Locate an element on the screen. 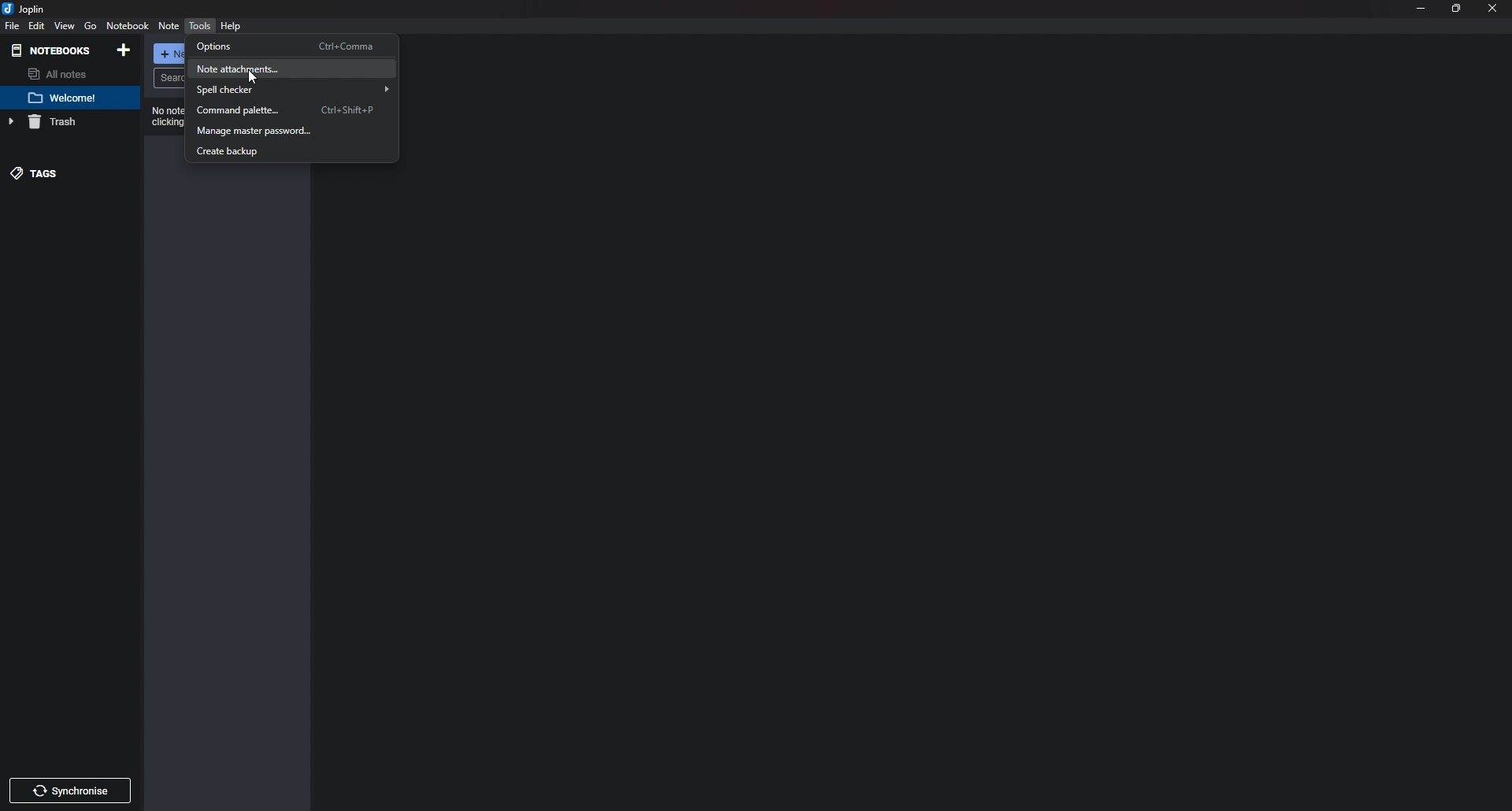 Image resolution: width=1512 pixels, height=811 pixels. cursor is located at coordinates (255, 76).